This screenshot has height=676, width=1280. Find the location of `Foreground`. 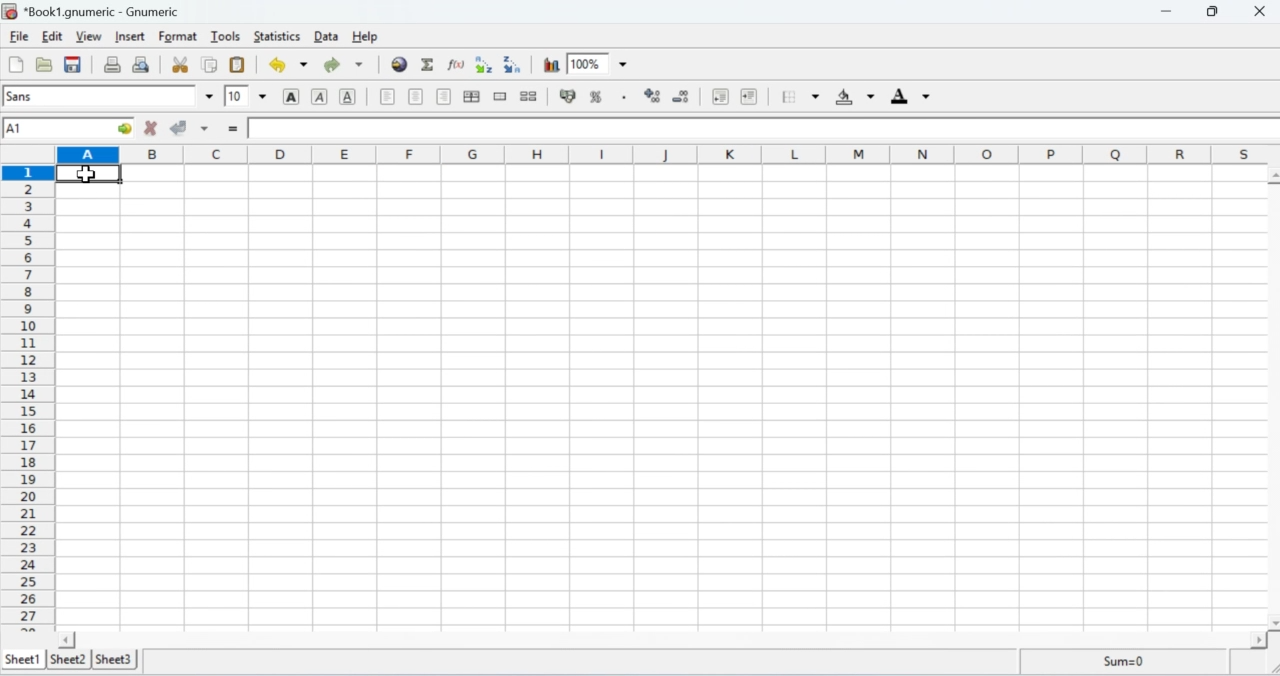

Foreground is located at coordinates (909, 97).